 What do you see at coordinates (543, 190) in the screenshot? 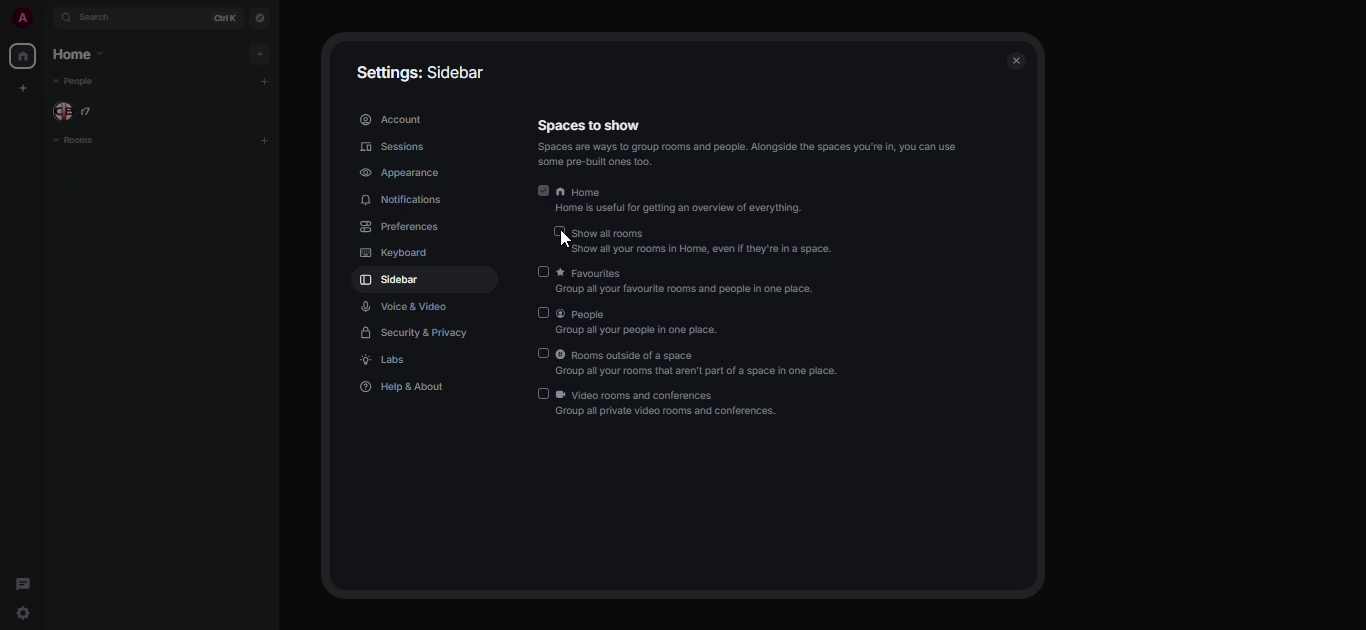
I see `enabled` at bounding box center [543, 190].